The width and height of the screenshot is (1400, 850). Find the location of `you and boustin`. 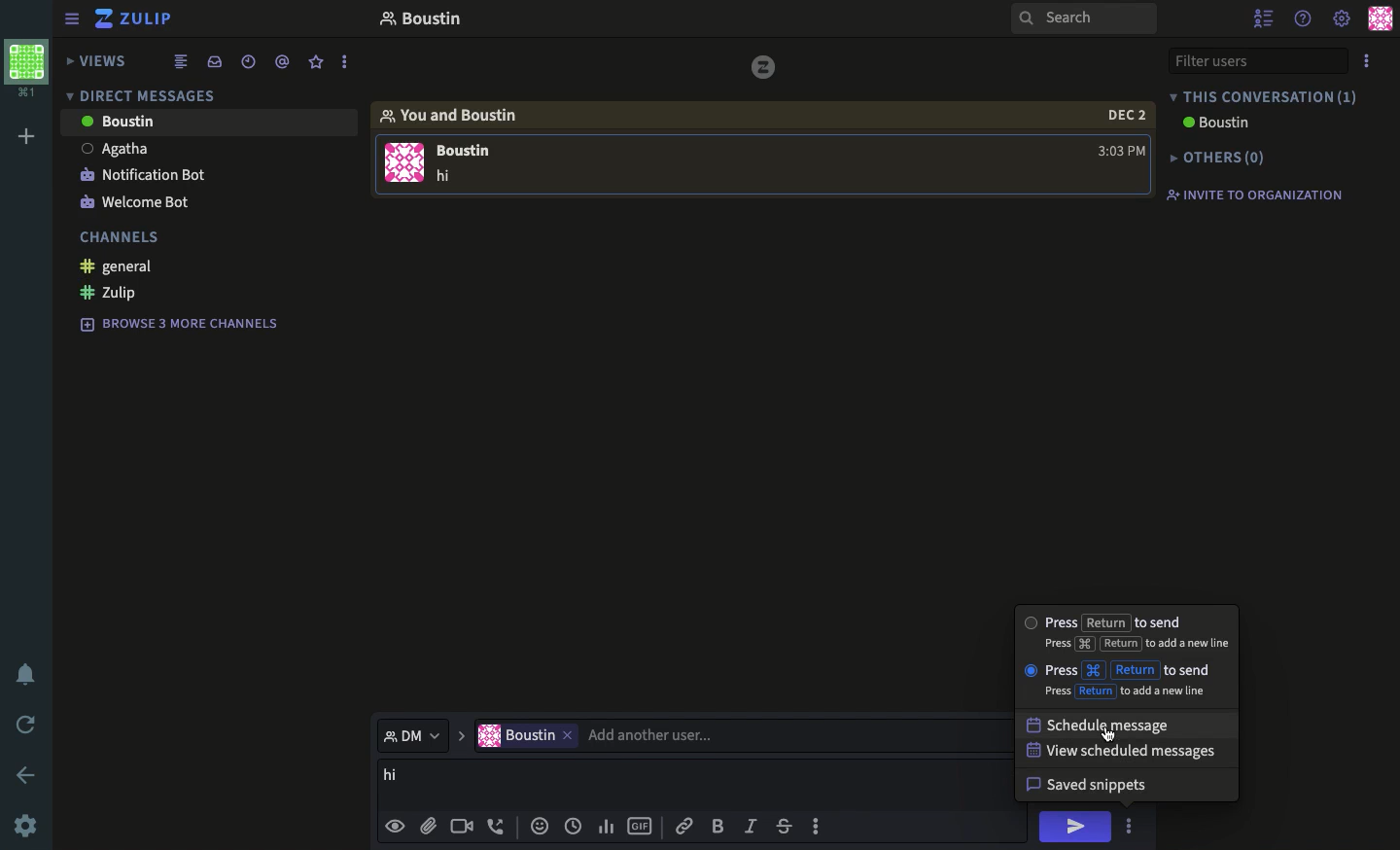

you and boustin is located at coordinates (460, 114).